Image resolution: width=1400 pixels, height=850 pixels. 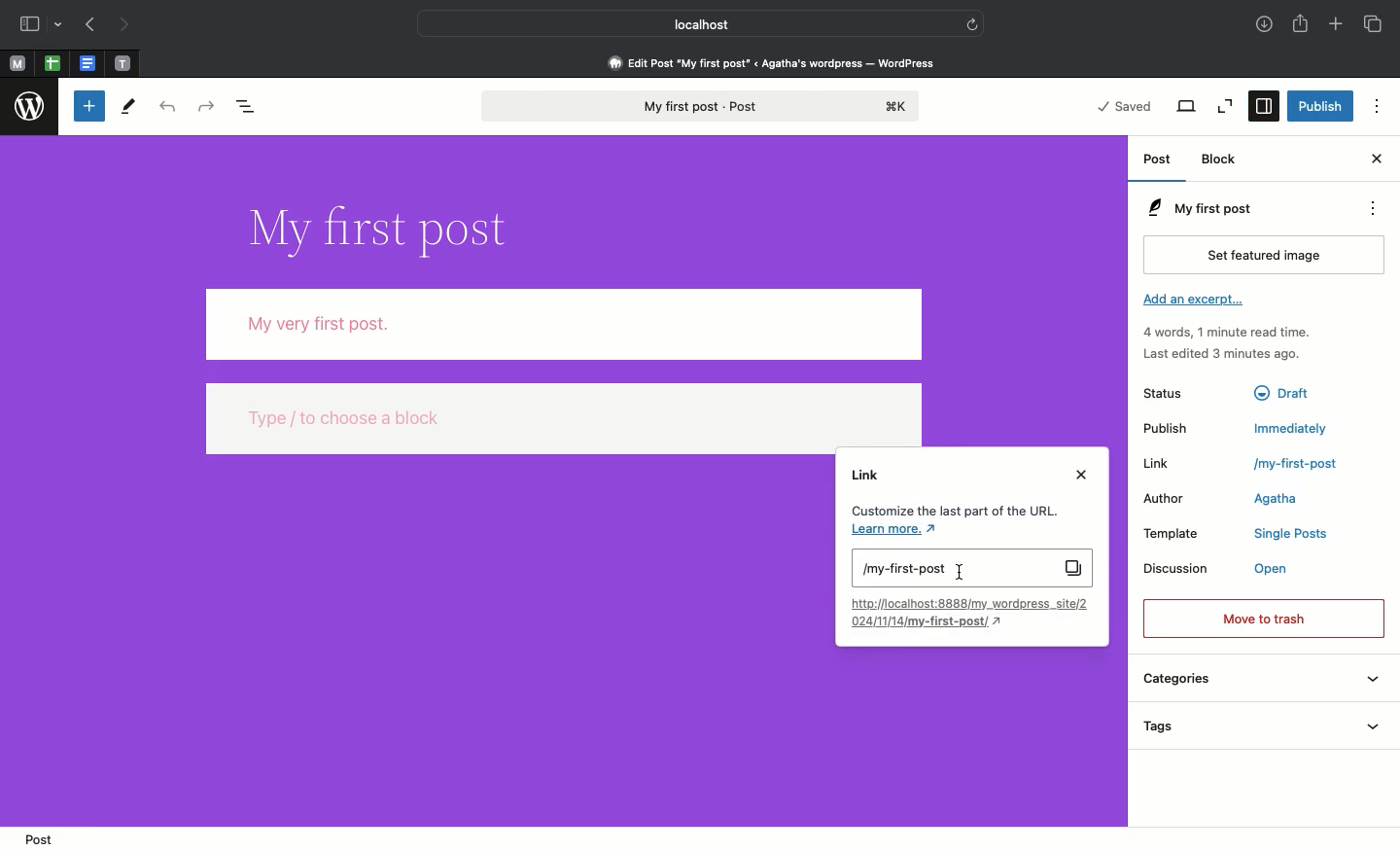 What do you see at coordinates (1376, 24) in the screenshot?
I see `Tabs` at bounding box center [1376, 24].